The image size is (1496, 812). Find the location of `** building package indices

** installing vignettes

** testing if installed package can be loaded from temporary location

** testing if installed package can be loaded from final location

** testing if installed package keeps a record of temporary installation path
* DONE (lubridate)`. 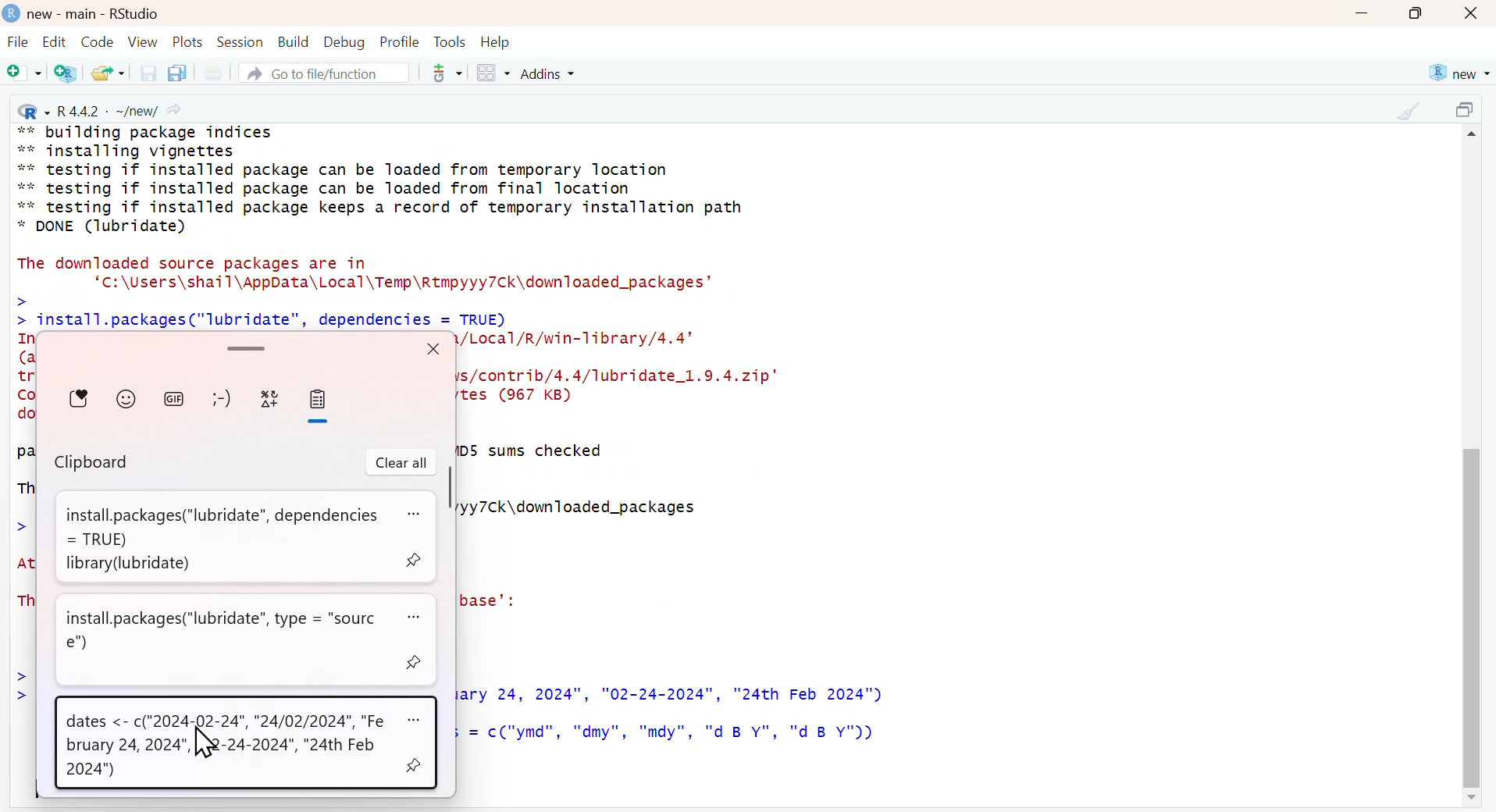

** building package indices

** installing vignettes

** testing if installed package can be loaded from temporary location

** testing if installed package can be loaded from final location

** testing if installed package keeps a record of temporary installation path
* DONE (lubridate) is located at coordinates (383, 180).